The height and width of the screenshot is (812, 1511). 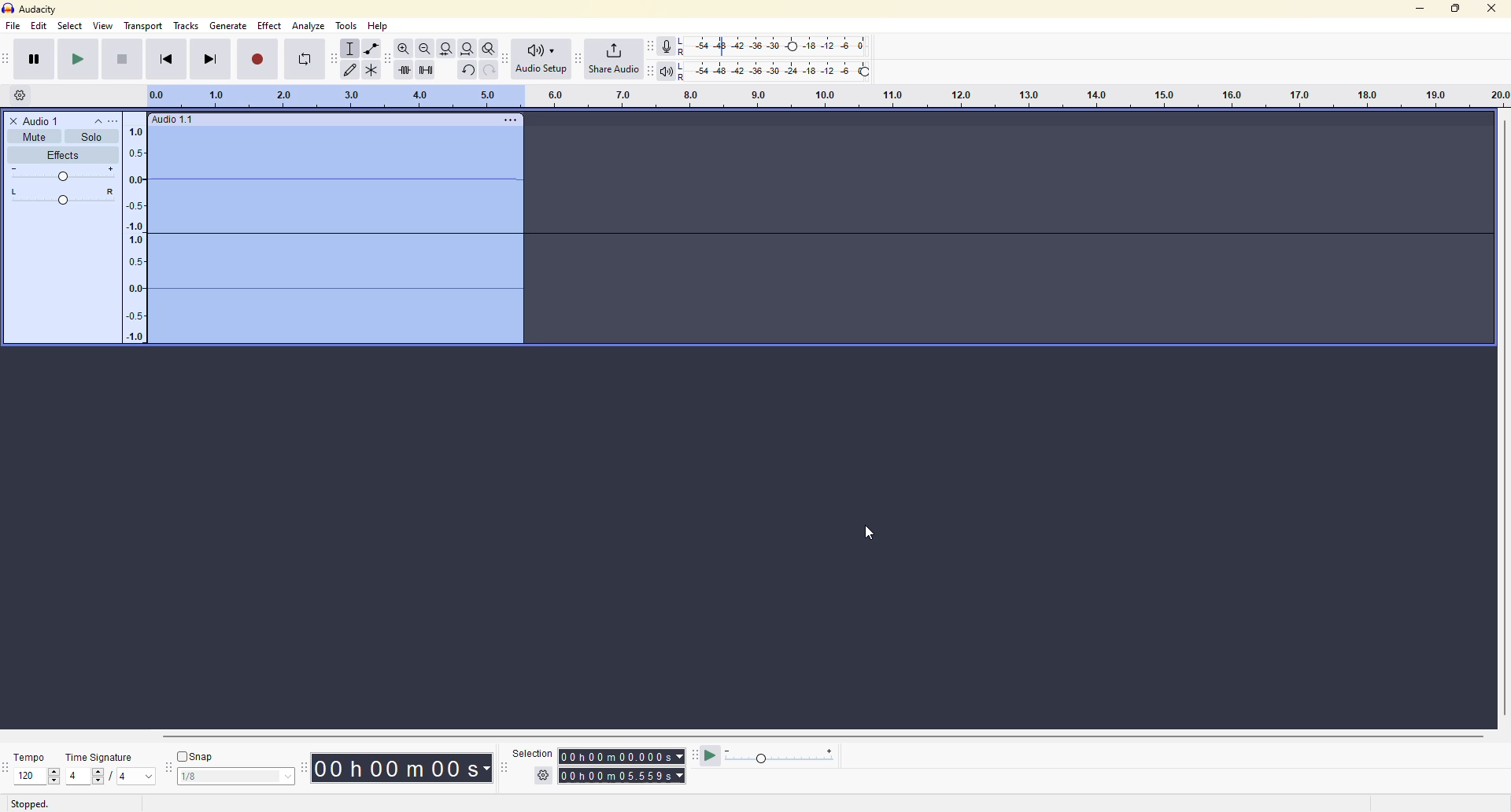 I want to click on pause, so click(x=34, y=58).